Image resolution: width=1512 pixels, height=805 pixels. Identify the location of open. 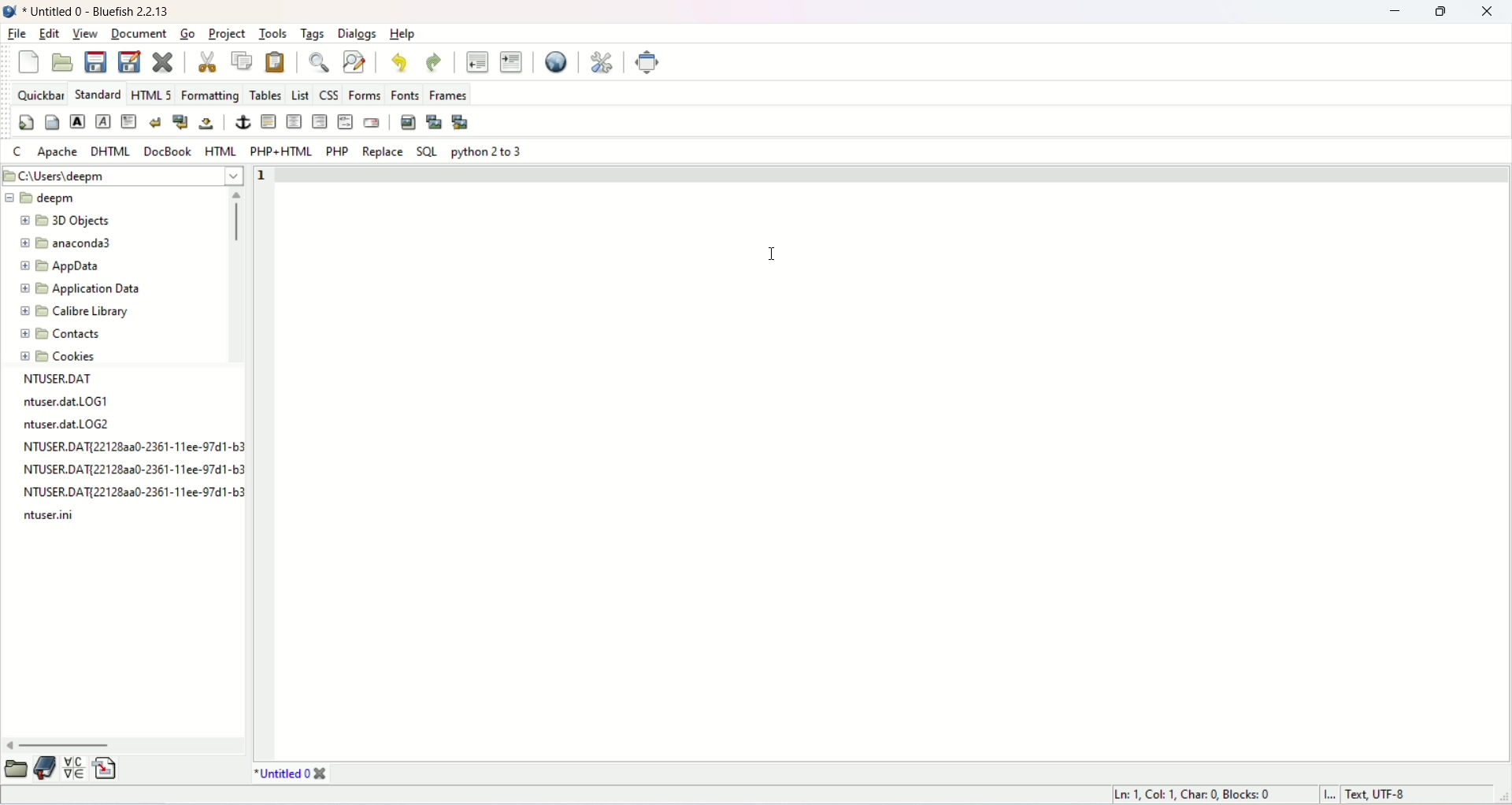
(13, 773).